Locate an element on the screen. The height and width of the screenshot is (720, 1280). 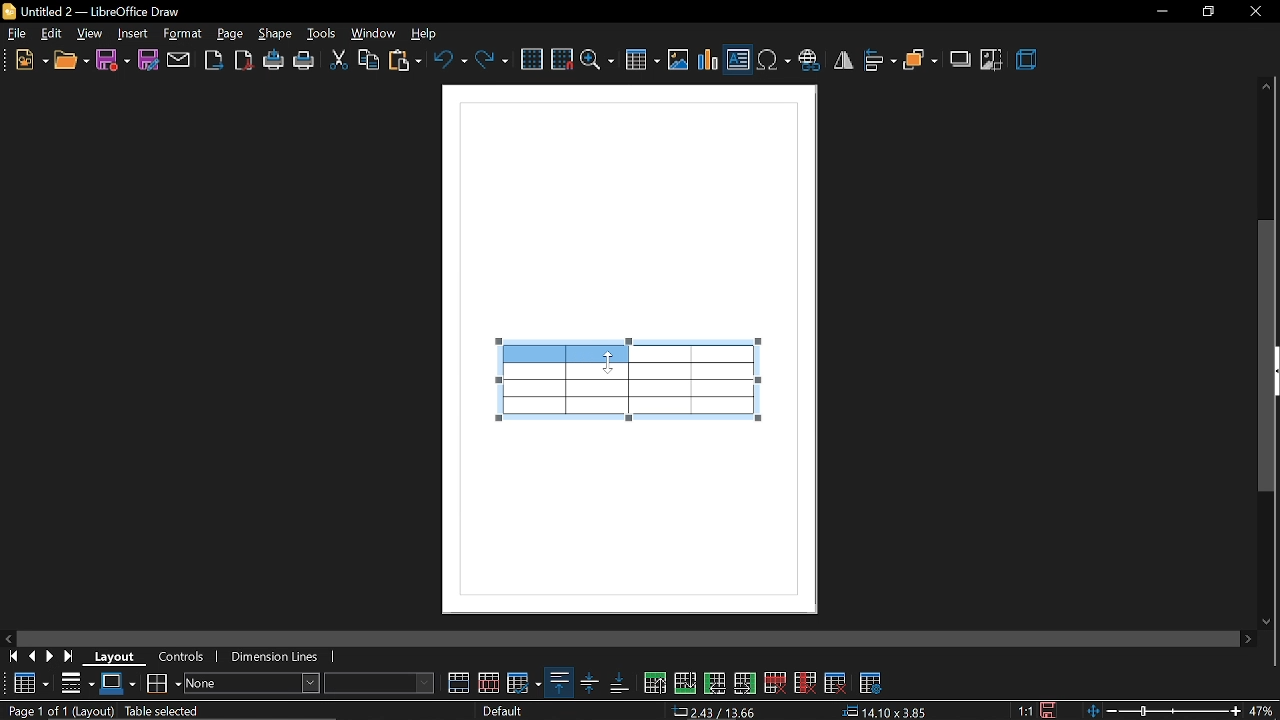
border style is located at coordinates (78, 683).